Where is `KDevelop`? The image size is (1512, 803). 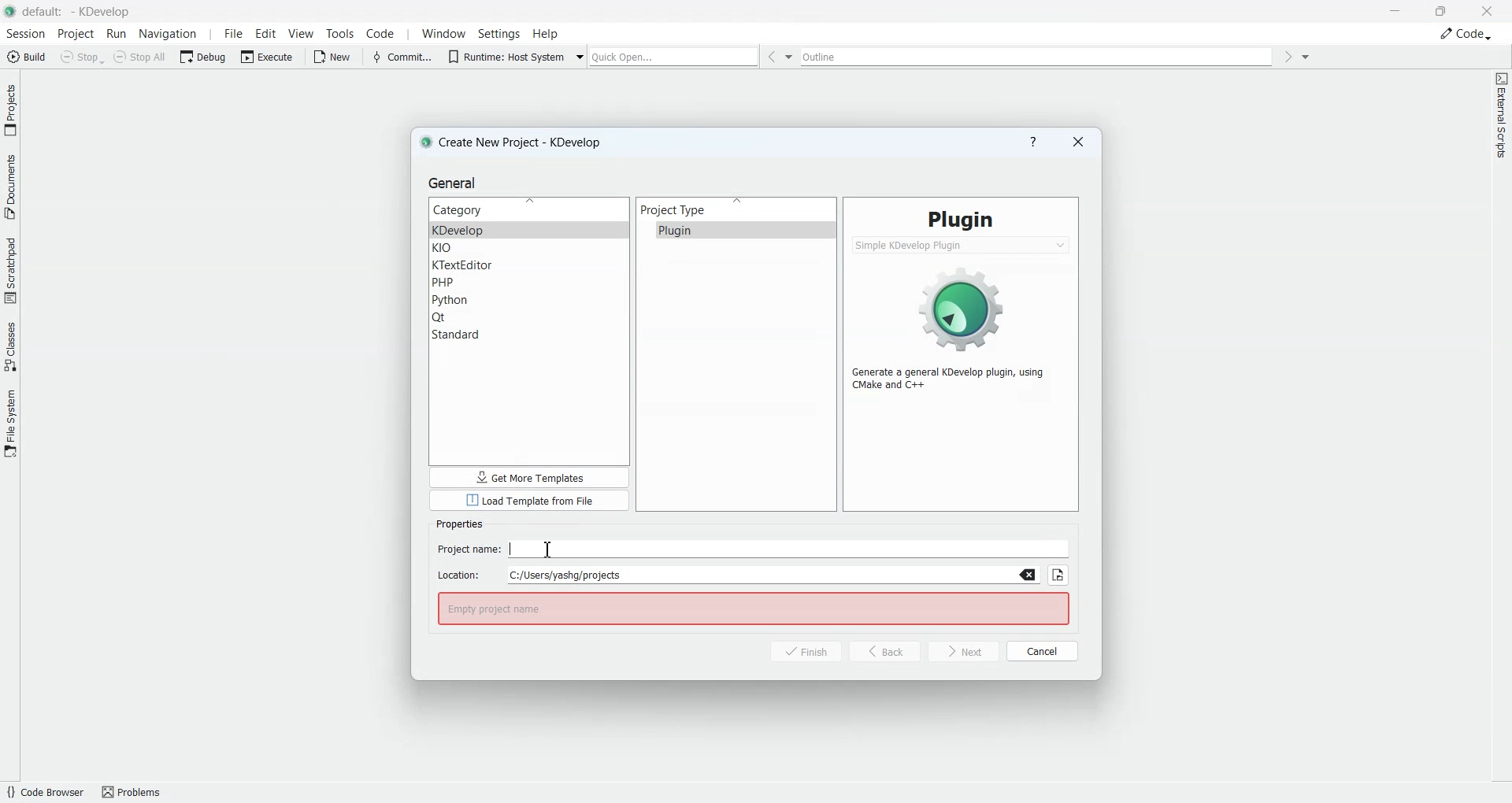
KDevelop is located at coordinates (529, 230).